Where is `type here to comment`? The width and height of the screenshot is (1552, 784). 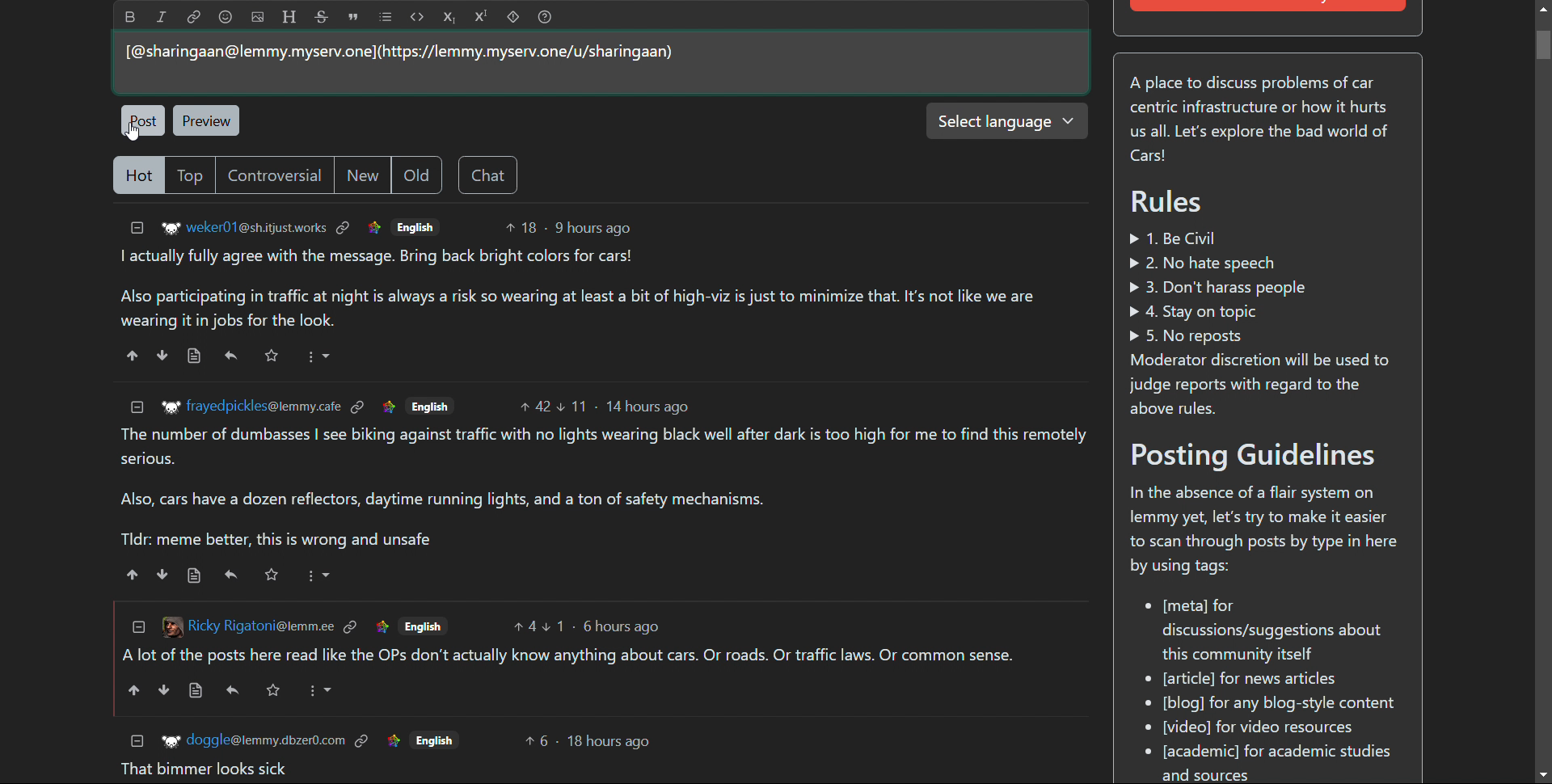 type here to comment is located at coordinates (597, 63).